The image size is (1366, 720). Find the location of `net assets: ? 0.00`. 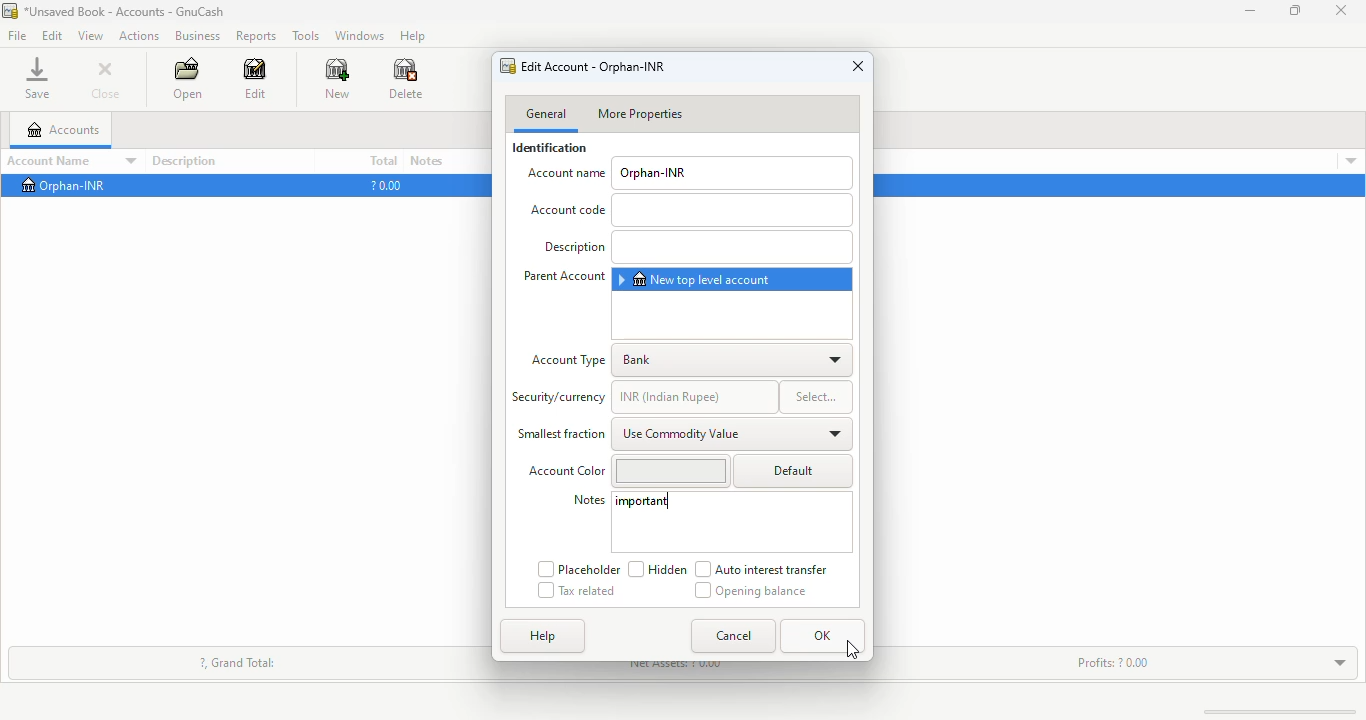

net assets: ? 0.00 is located at coordinates (679, 667).